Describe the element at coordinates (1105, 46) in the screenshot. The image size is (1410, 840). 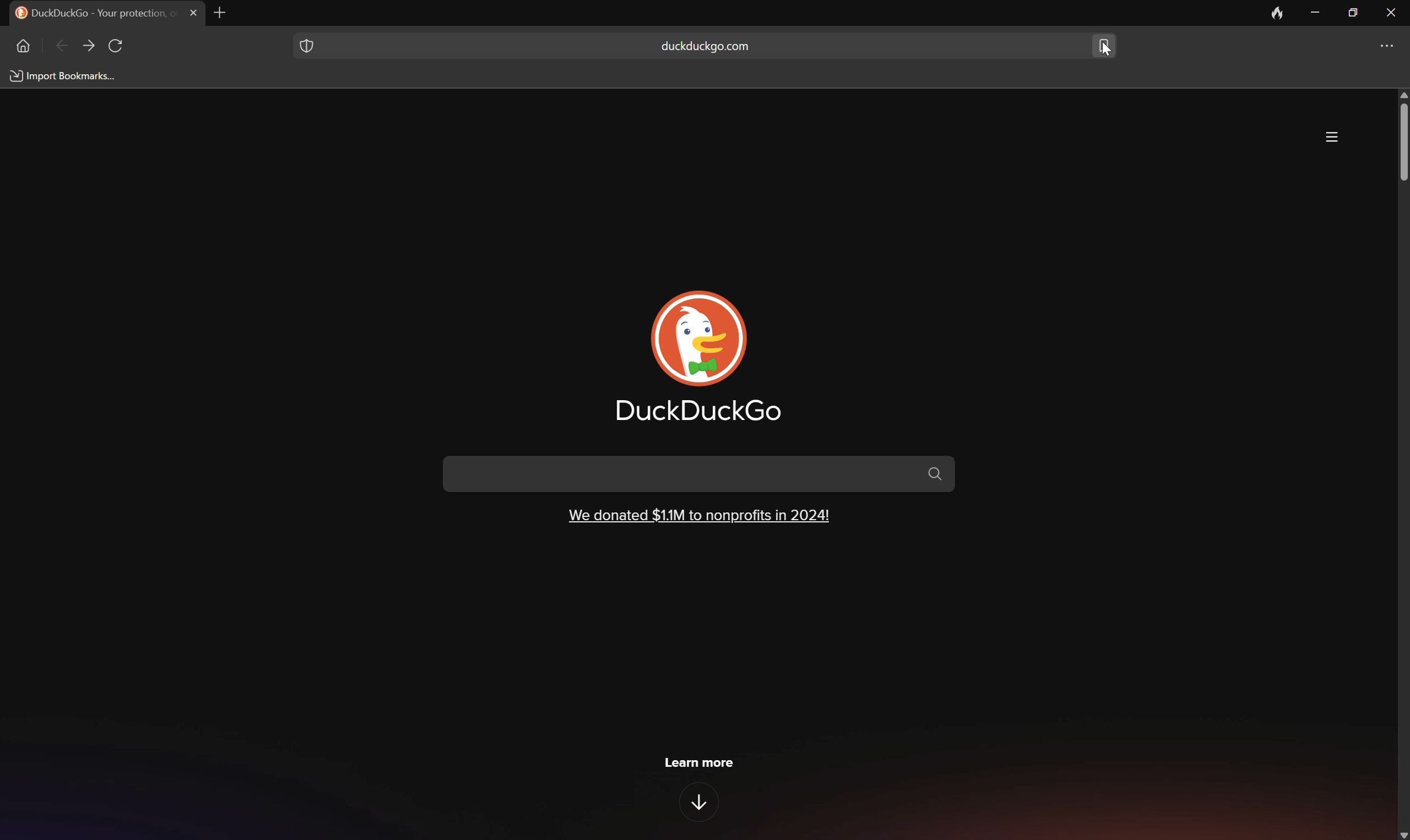
I see `Bookmark` at that location.